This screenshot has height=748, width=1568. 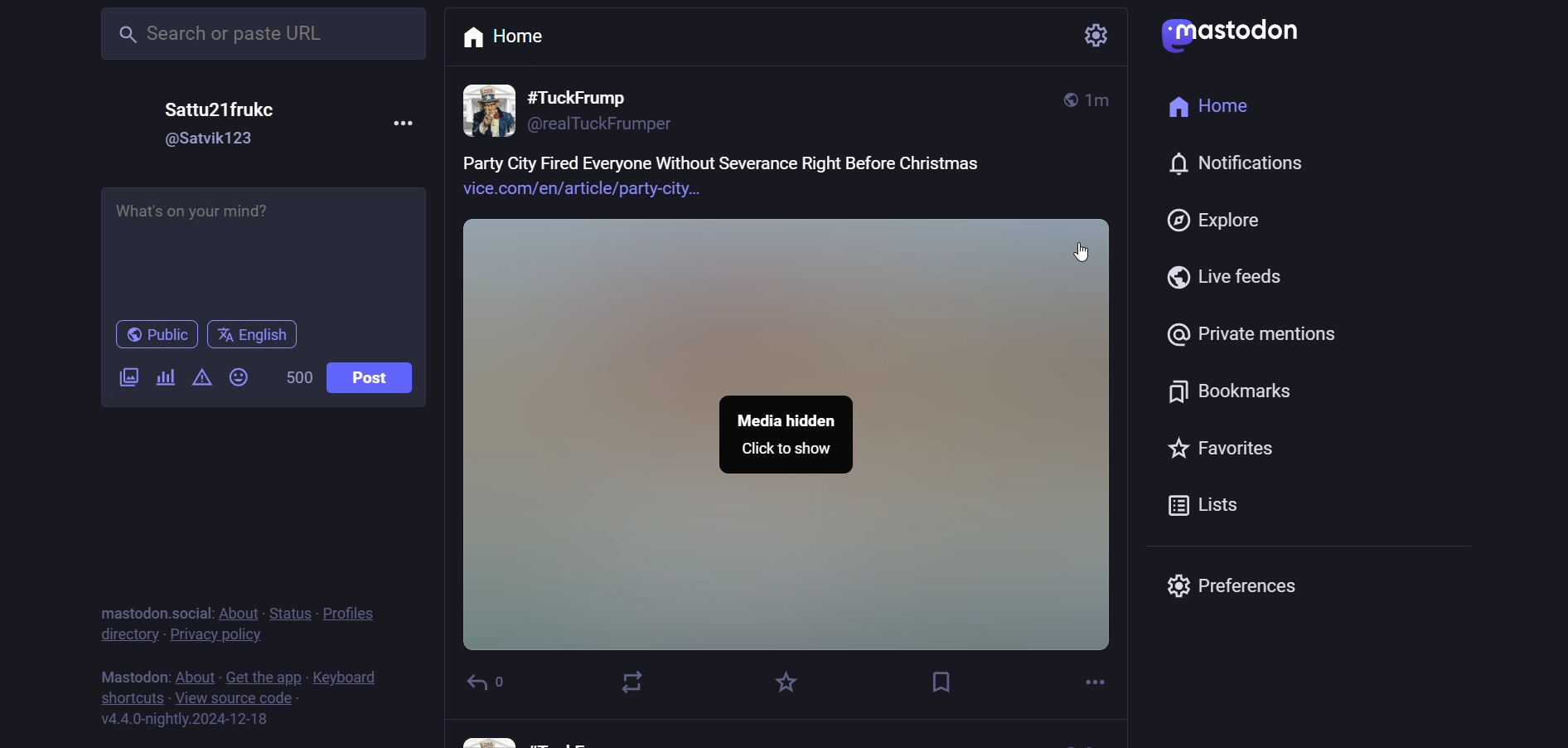 What do you see at coordinates (129, 671) in the screenshot?
I see `text` at bounding box center [129, 671].